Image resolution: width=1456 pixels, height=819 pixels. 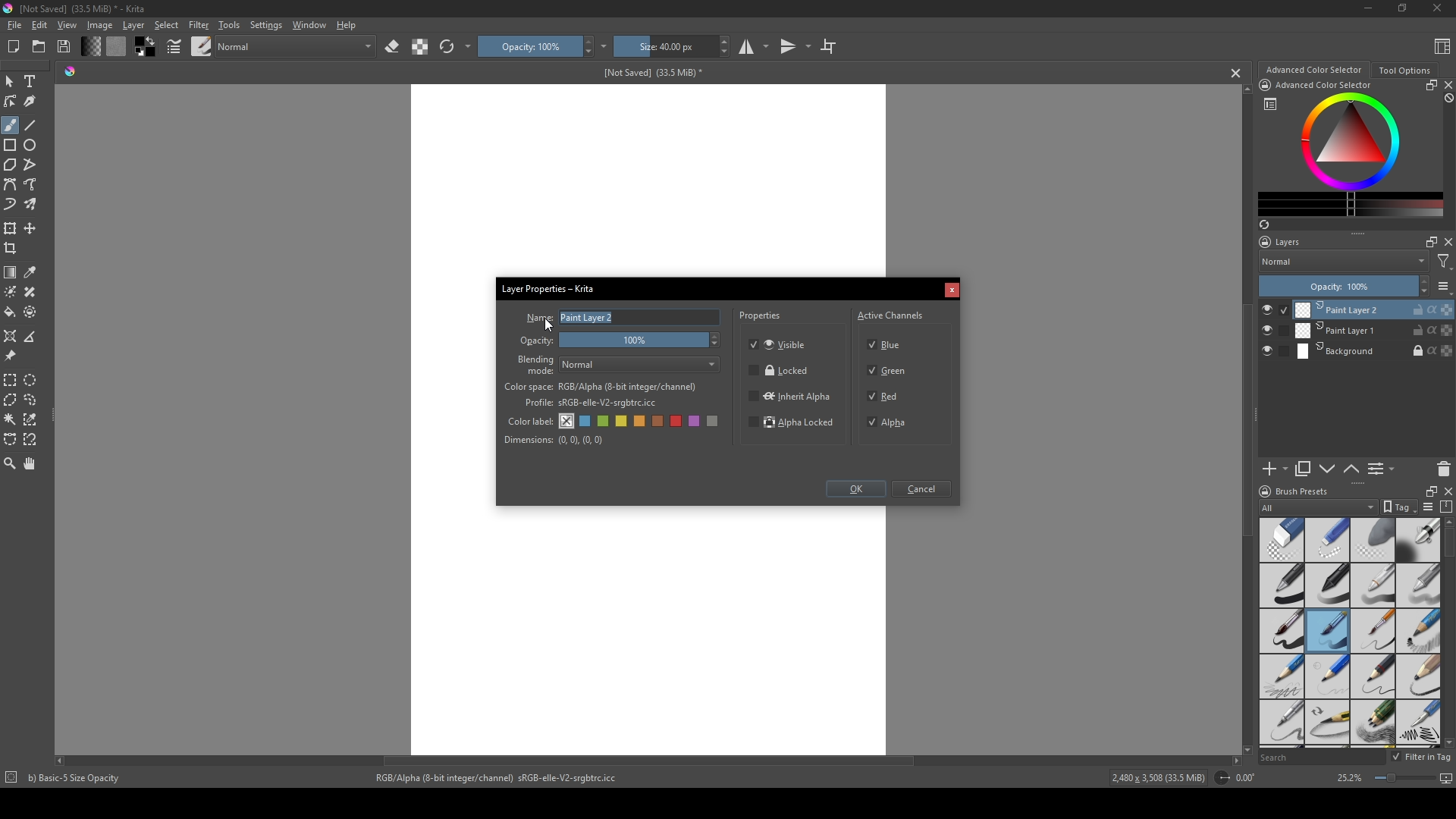 I want to click on Opacity, so click(x=538, y=341).